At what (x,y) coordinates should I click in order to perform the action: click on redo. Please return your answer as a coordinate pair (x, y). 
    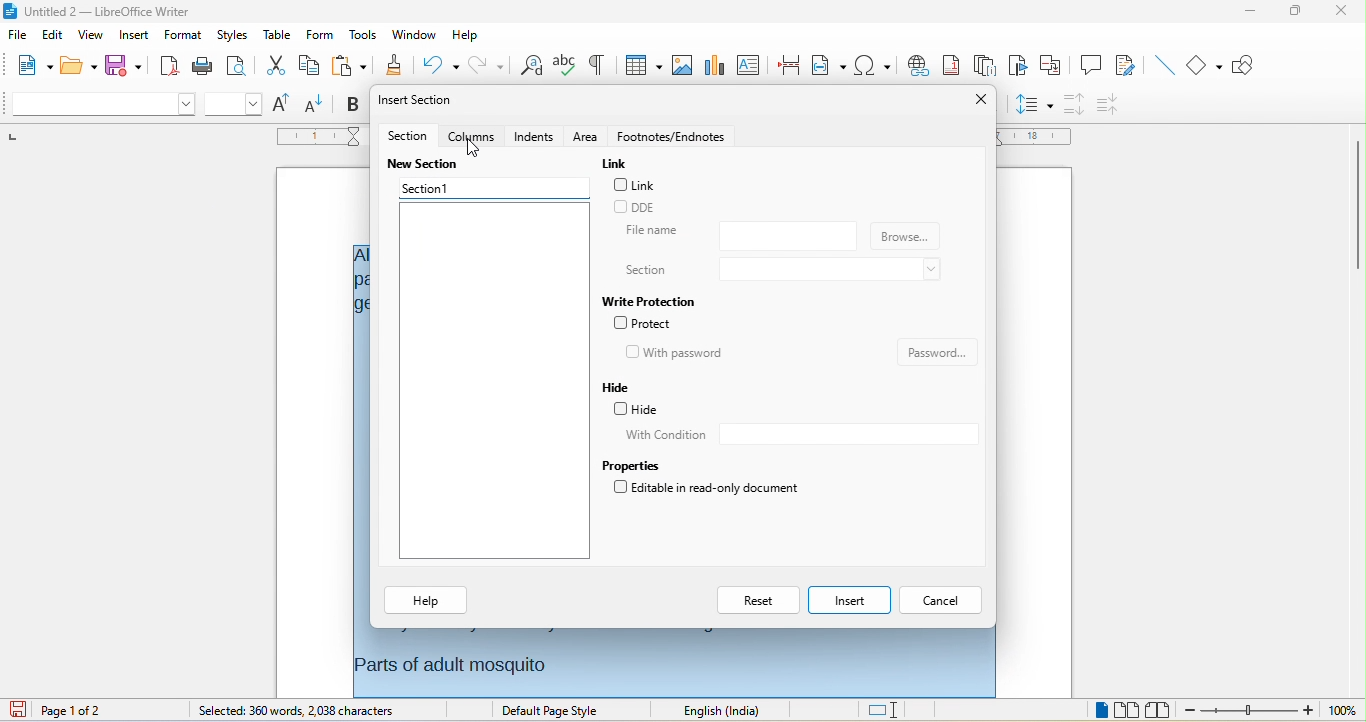
    Looking at the image, I should click on (485, 64).